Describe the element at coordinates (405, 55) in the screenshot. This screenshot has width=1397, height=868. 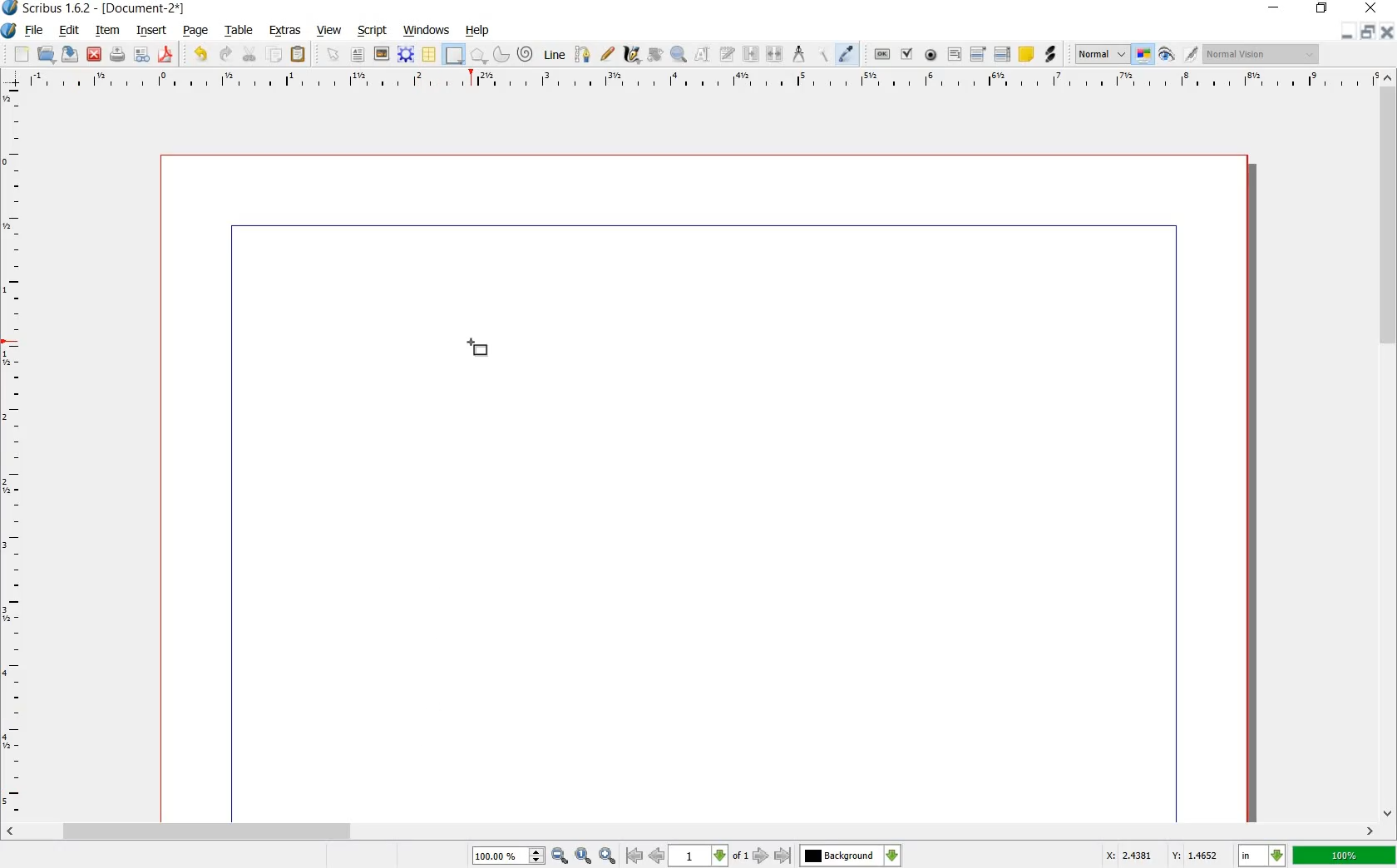
I see `RENDER FRAME` at that location.